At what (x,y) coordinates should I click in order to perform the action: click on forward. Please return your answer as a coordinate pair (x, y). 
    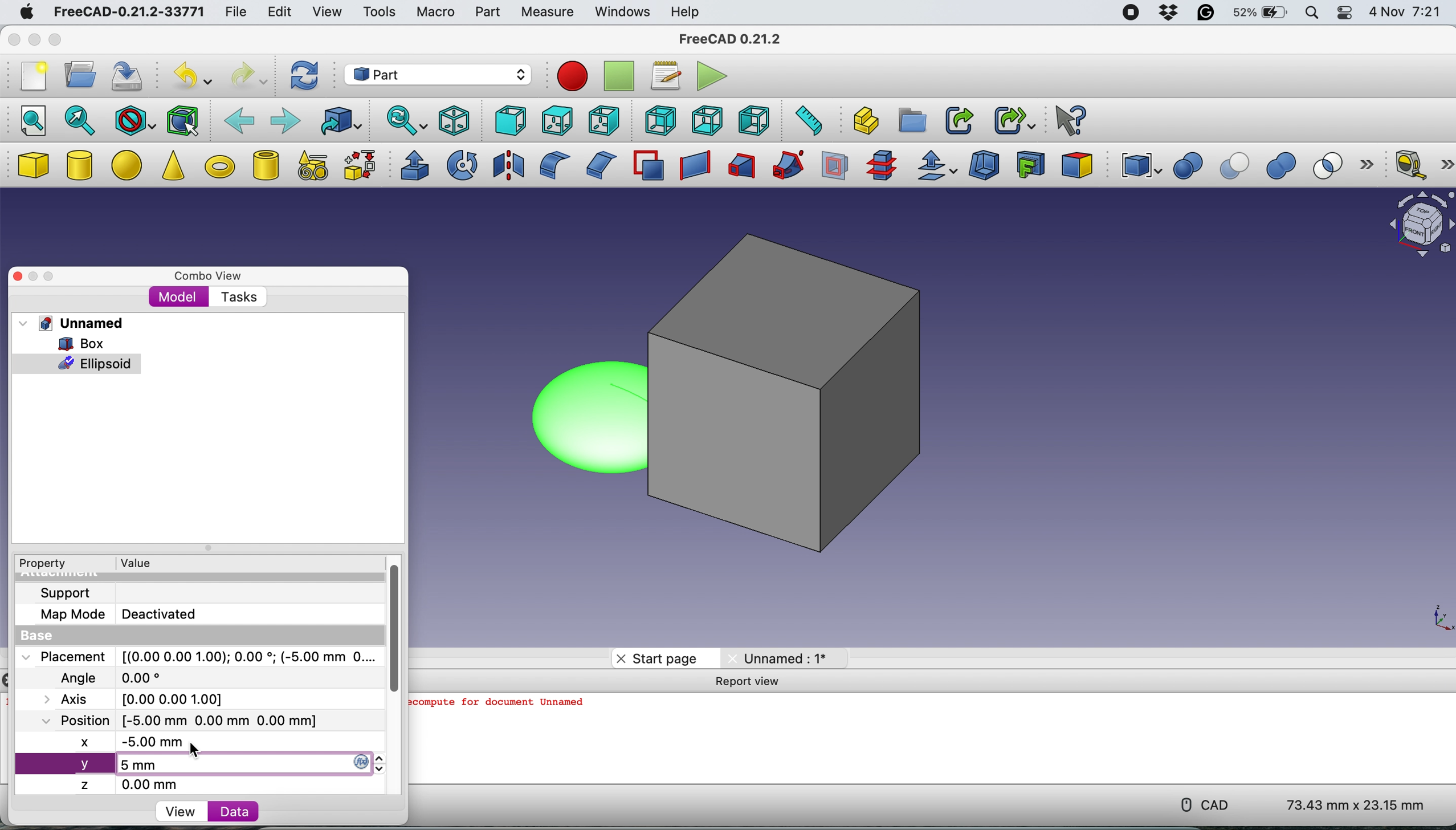
    Looking at the image, I should click on (284, 119).